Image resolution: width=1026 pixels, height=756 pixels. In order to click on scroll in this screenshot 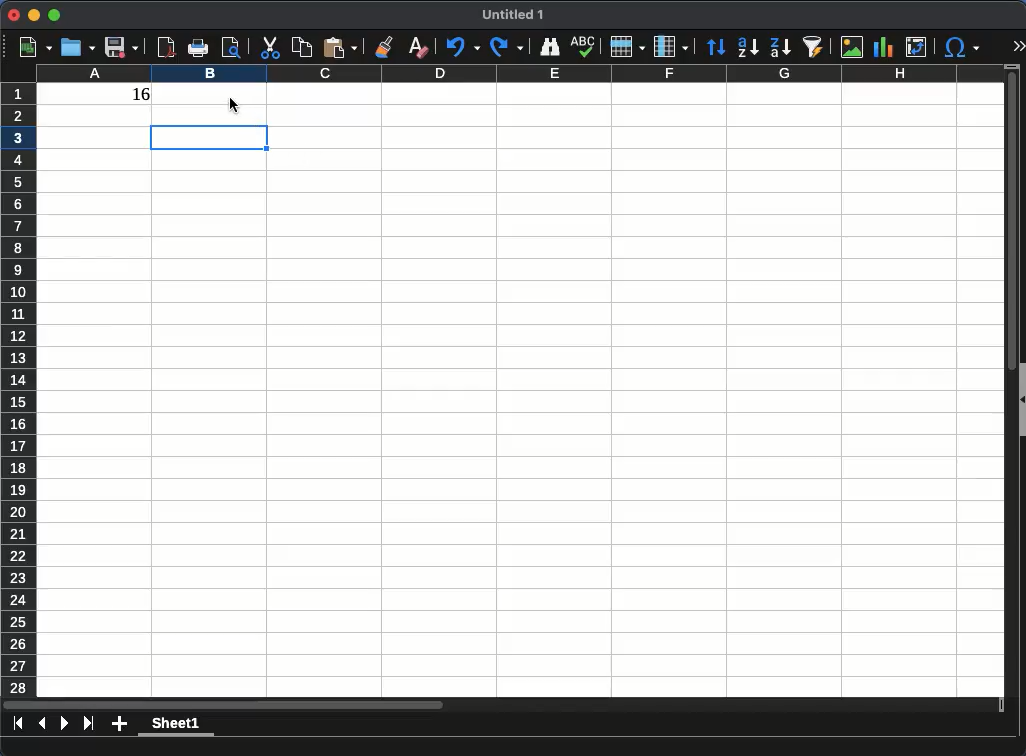, I will do `click(506, 706)`.